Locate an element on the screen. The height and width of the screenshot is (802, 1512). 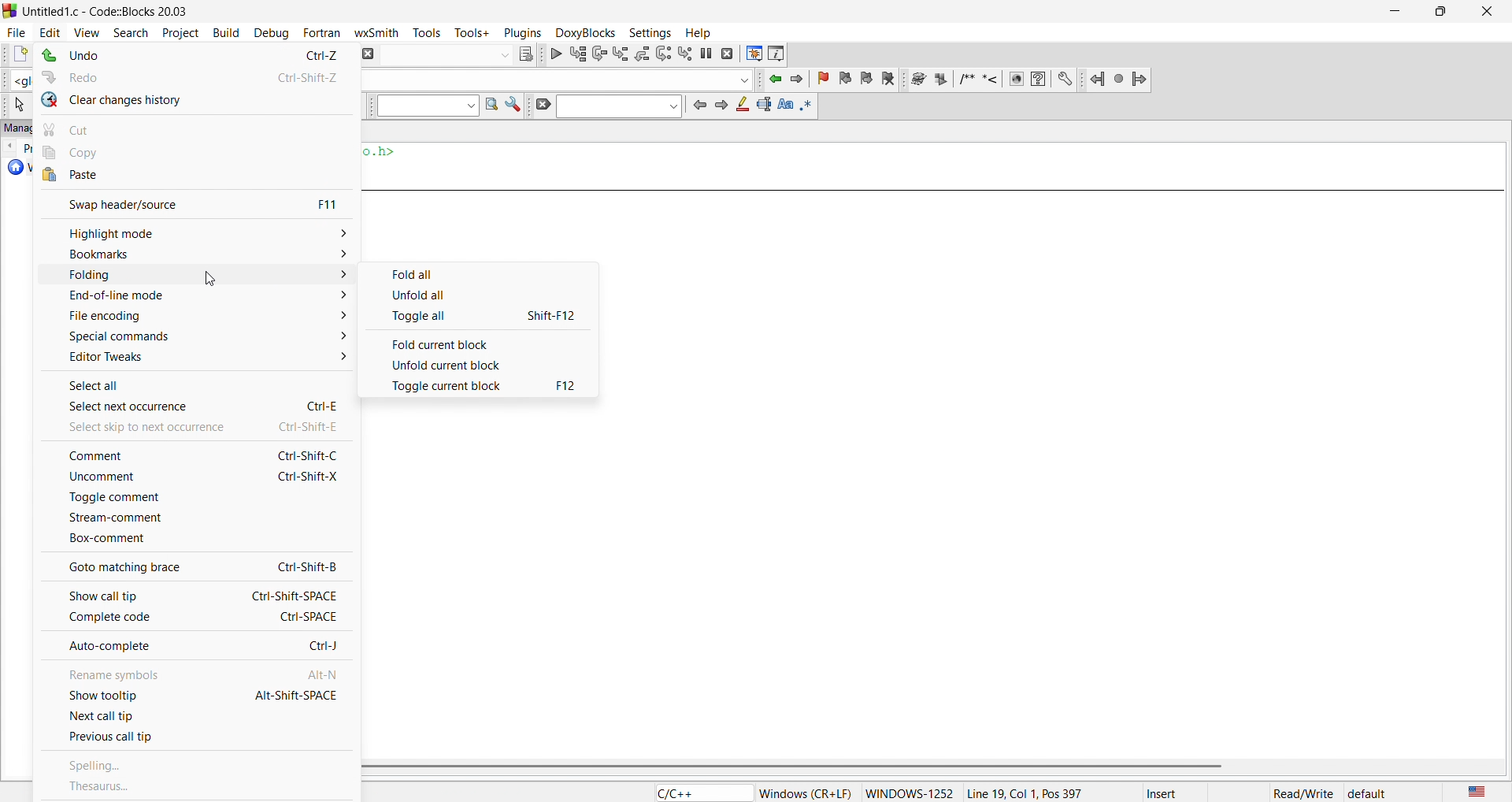
copy is located at coordinates (200, 152).